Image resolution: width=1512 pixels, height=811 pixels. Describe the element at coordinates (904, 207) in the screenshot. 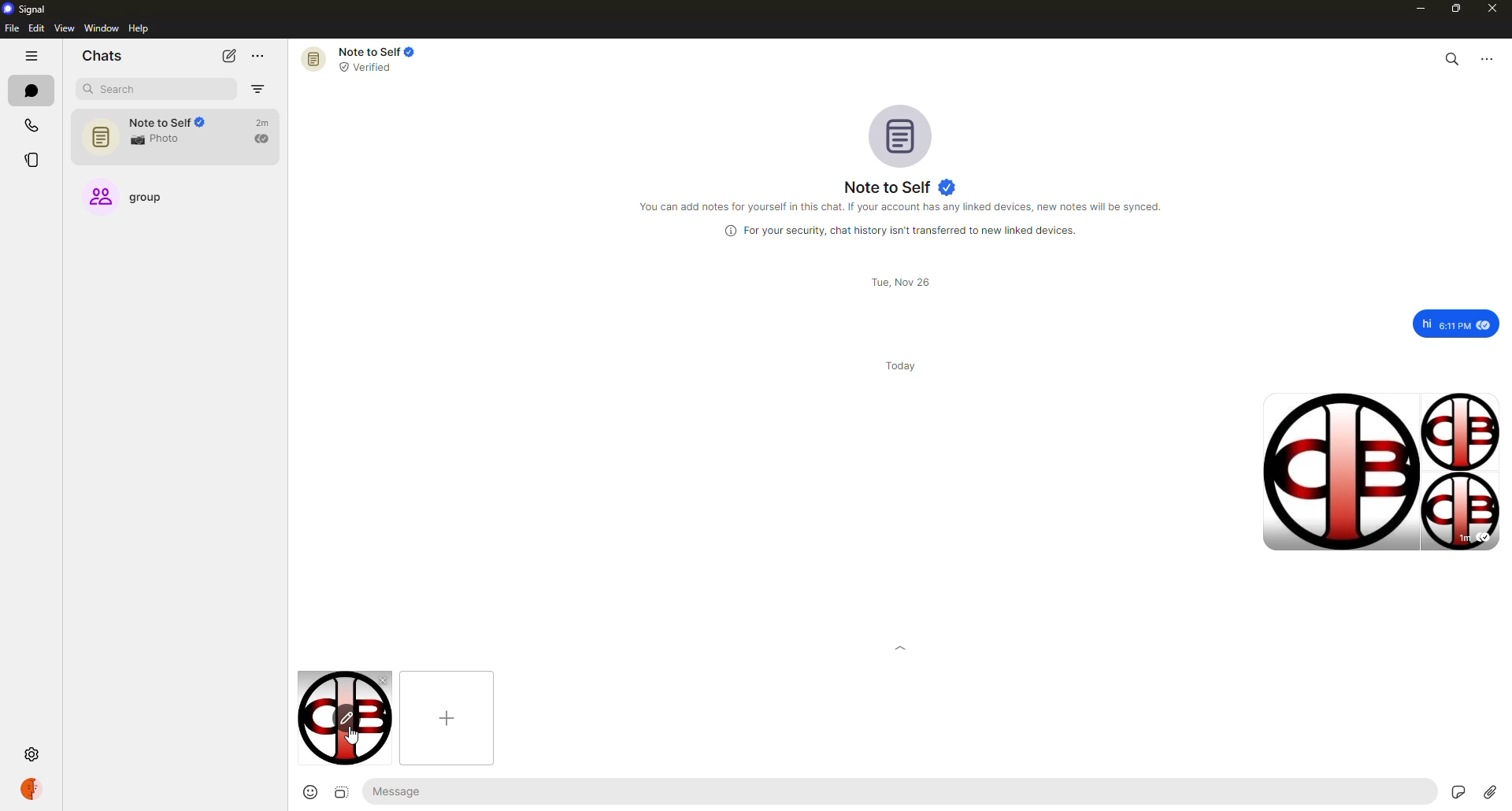

I see `info` at that location.